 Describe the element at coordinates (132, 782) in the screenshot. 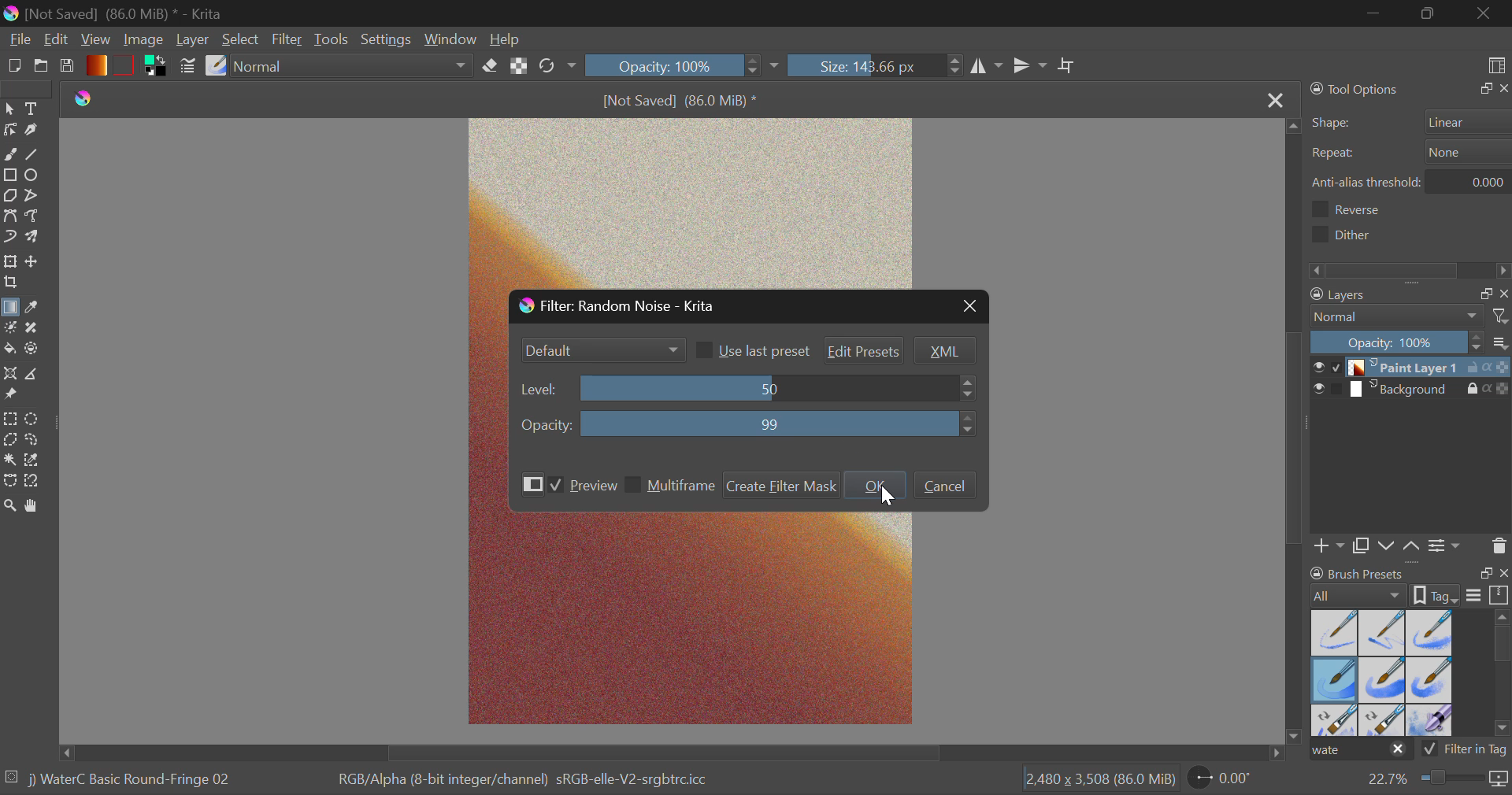

I see `jj waterc basic round-fringe 02` at that location.